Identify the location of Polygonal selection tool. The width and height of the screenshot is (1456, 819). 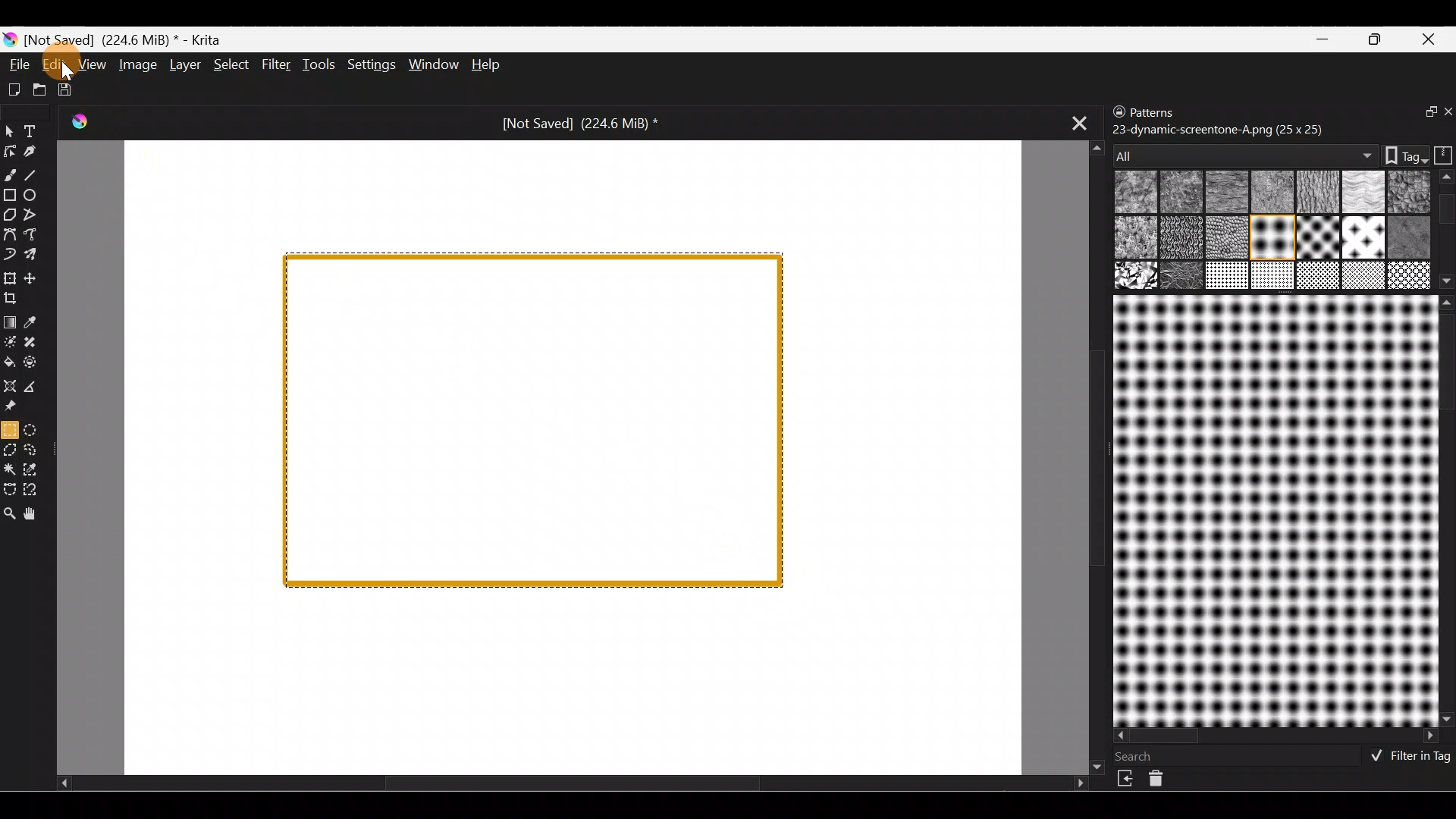
(11, 449).